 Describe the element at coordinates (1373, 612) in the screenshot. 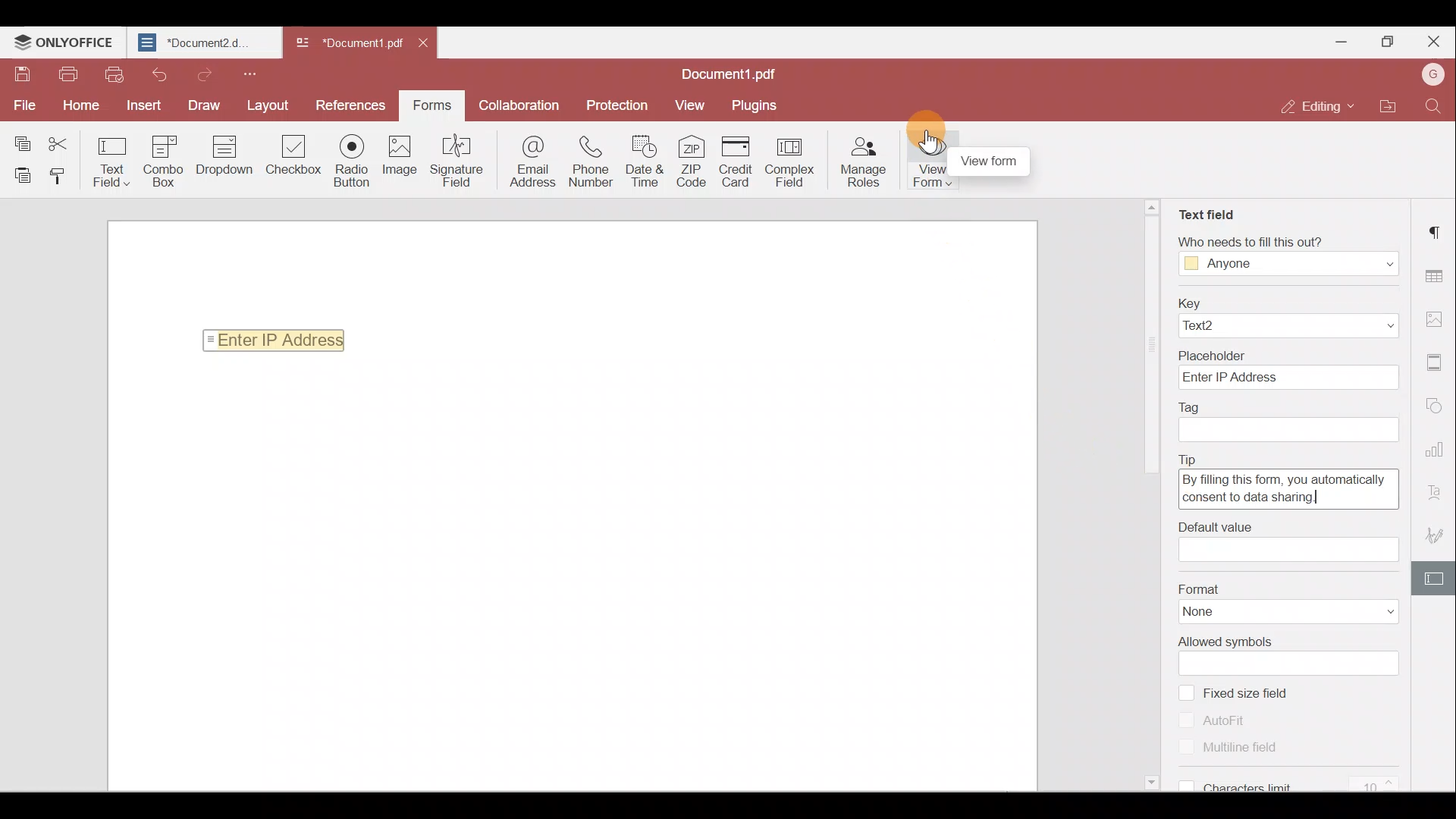

I see `Format dropdown` at that location.